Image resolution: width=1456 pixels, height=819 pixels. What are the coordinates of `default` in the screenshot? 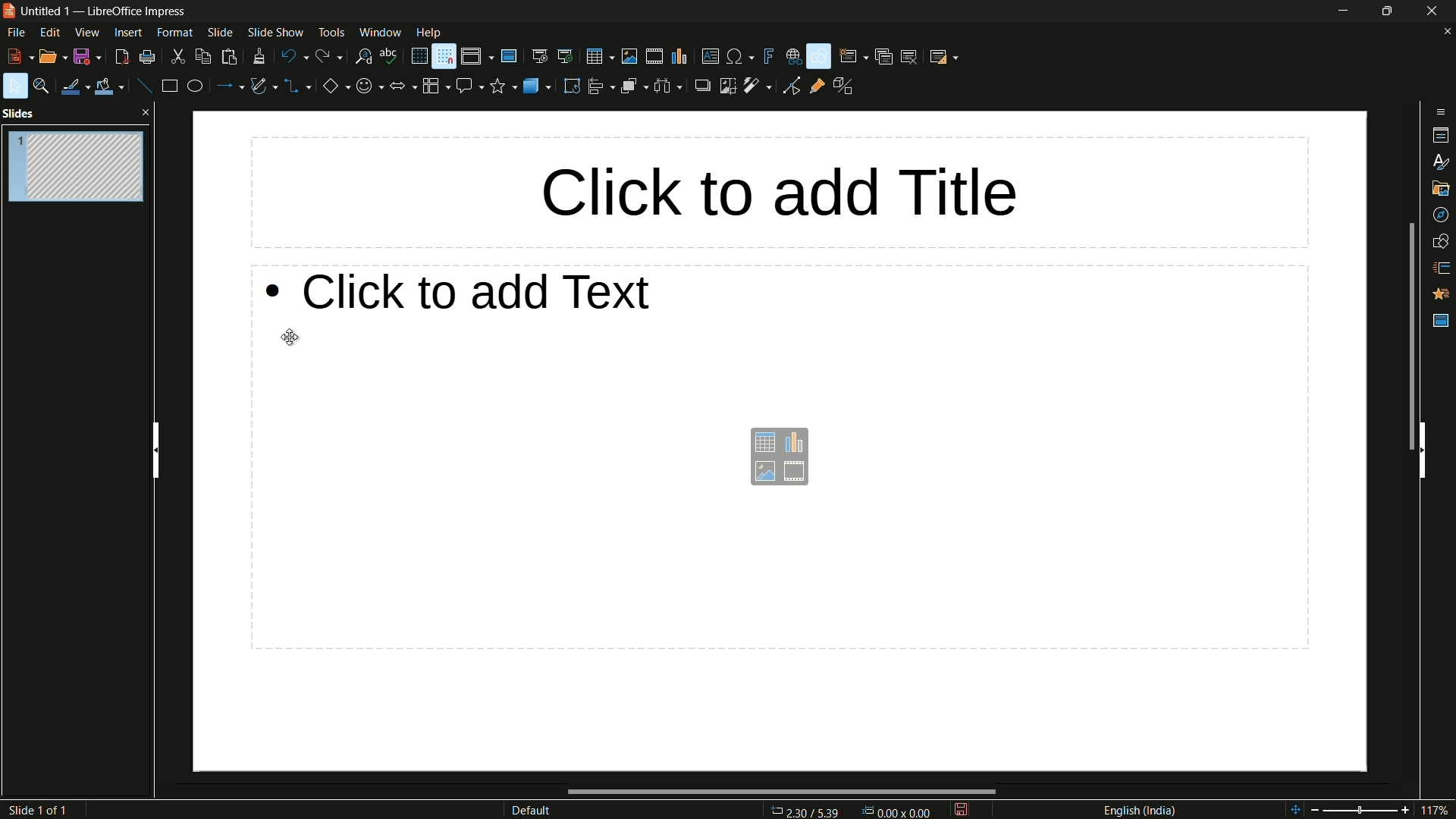 It's located at (533, 811).